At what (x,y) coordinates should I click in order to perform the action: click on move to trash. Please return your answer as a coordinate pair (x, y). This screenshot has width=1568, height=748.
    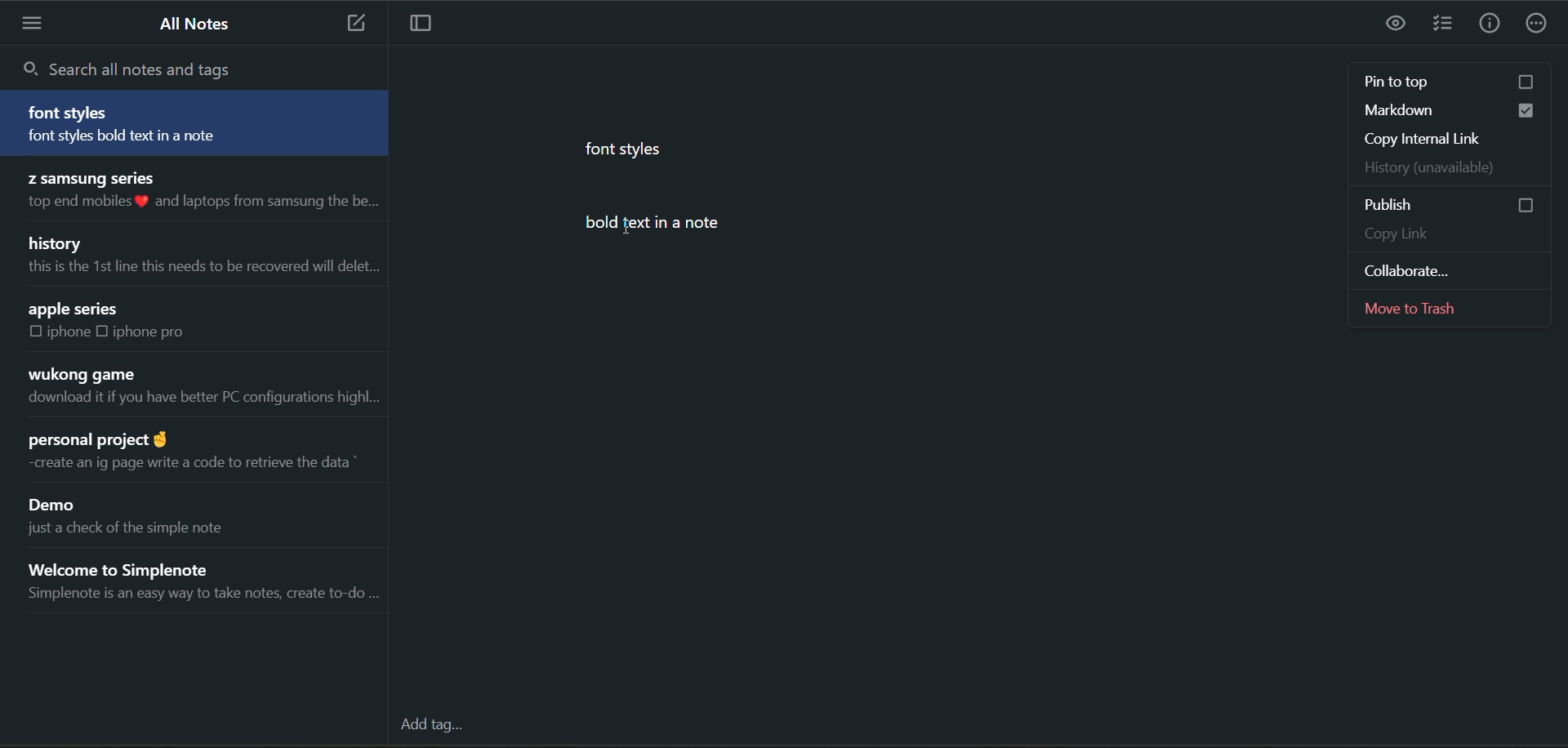
    Looking at the image, I should click on (1453, 309).